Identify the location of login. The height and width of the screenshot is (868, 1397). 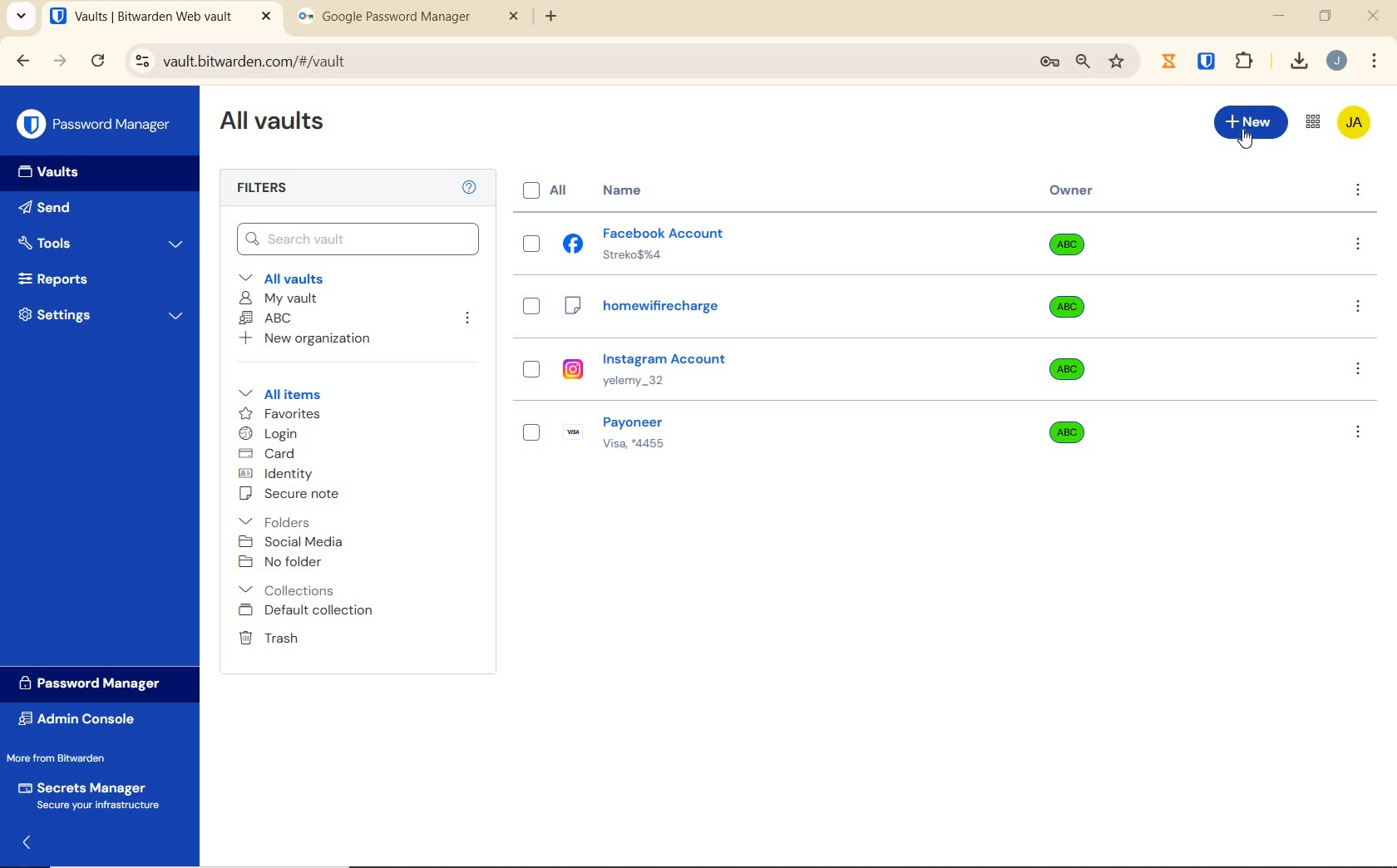
(268, 435).